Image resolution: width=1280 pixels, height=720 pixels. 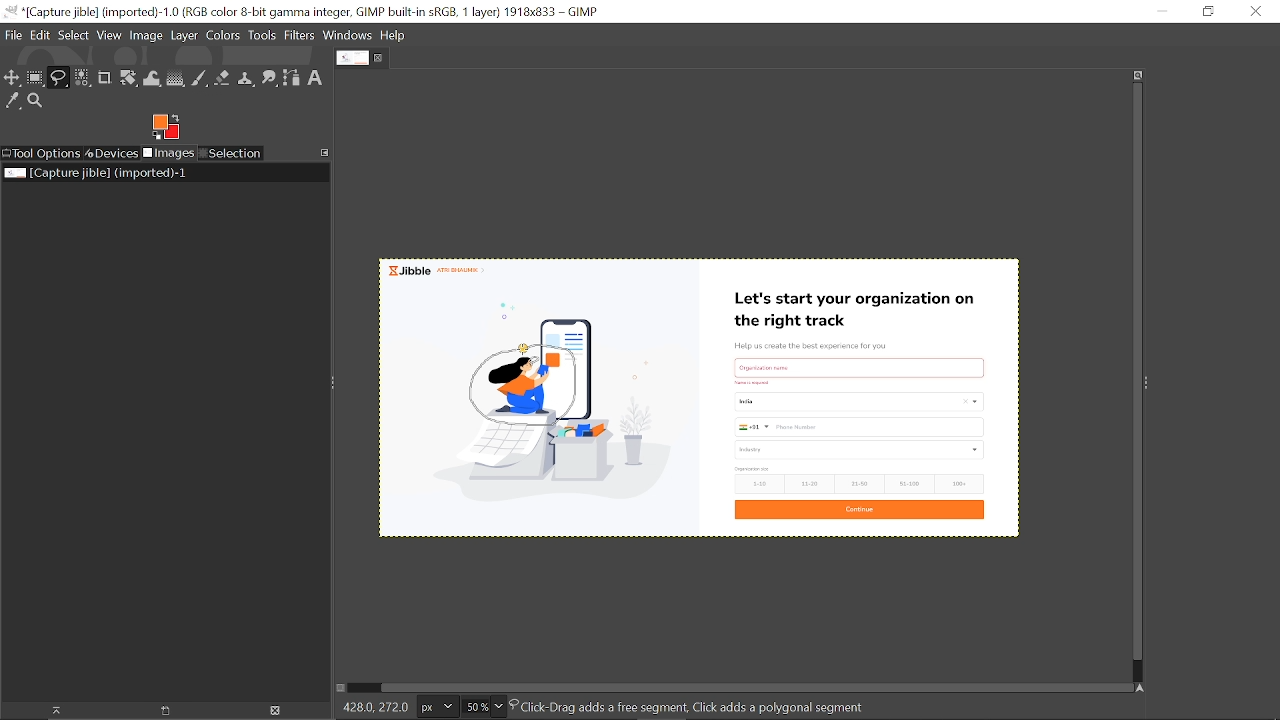 I want to click on Filters, so click(x=300, y=36).